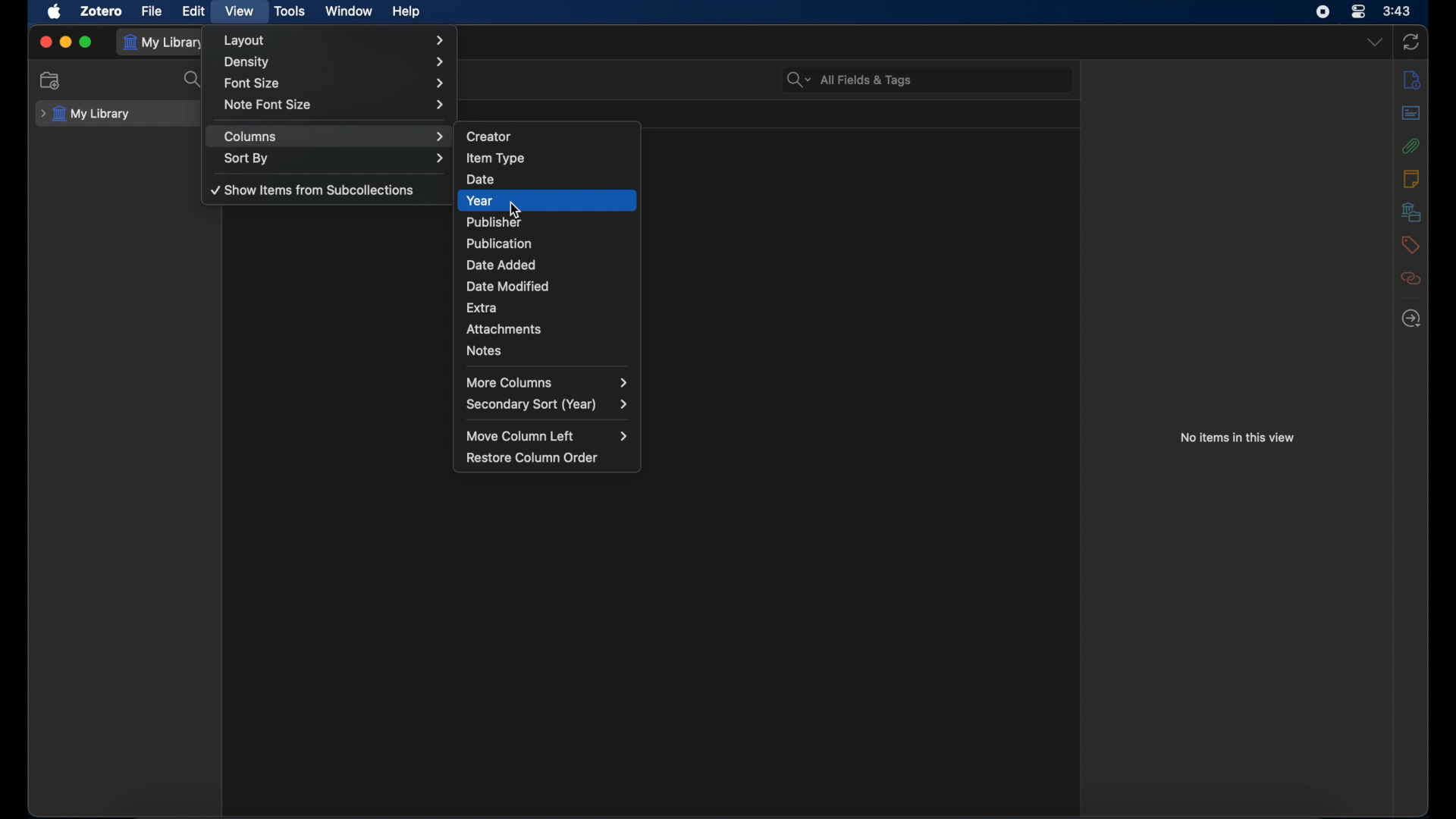 This screenshot has height=819, width=1456. What do you see at coordinates (1410, 318) in the screenshot?
I see `locate` at bounding box center [1410, 318].